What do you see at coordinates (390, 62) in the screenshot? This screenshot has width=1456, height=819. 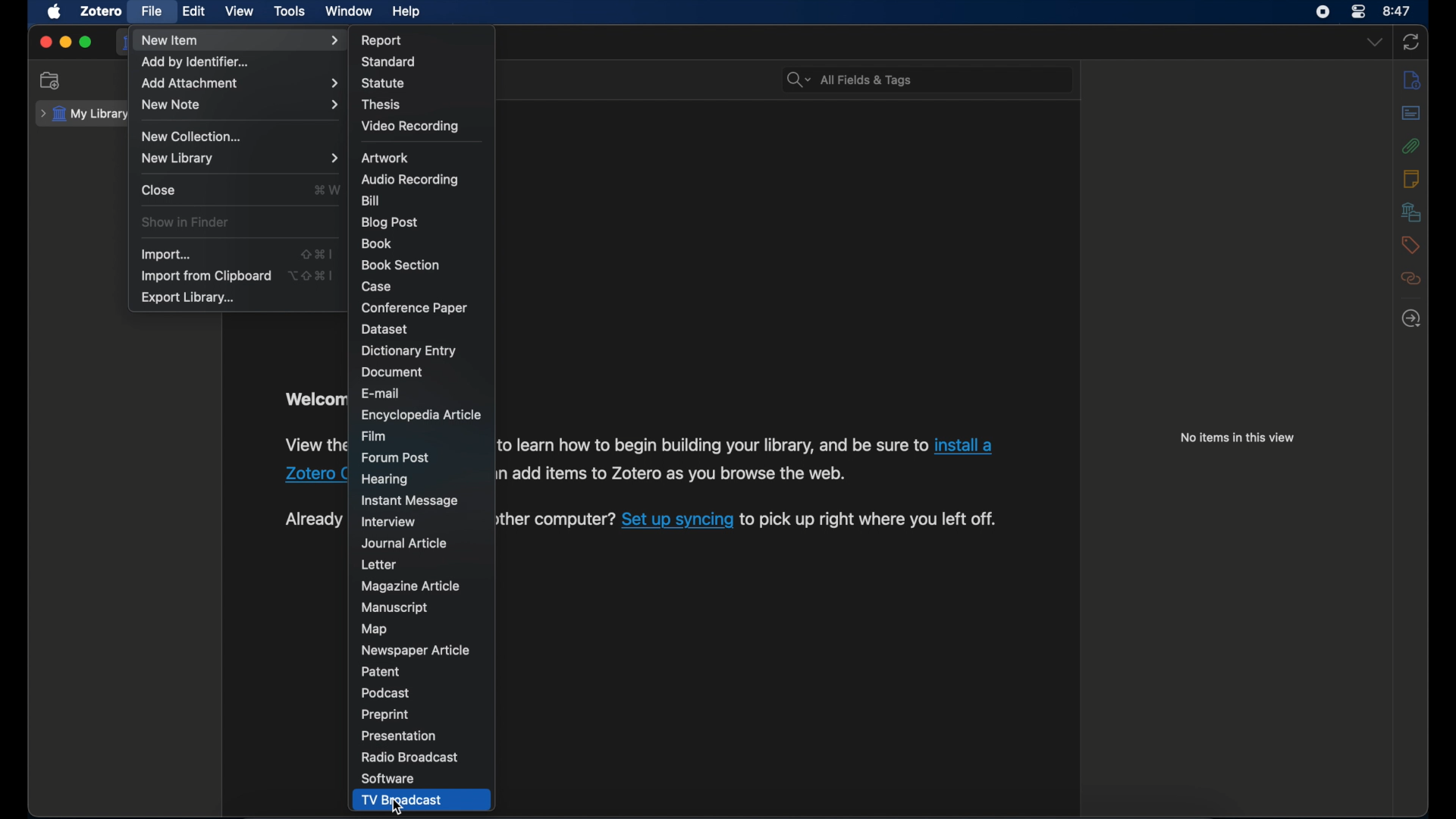 I see `standard` at bounding box center [390, 62].